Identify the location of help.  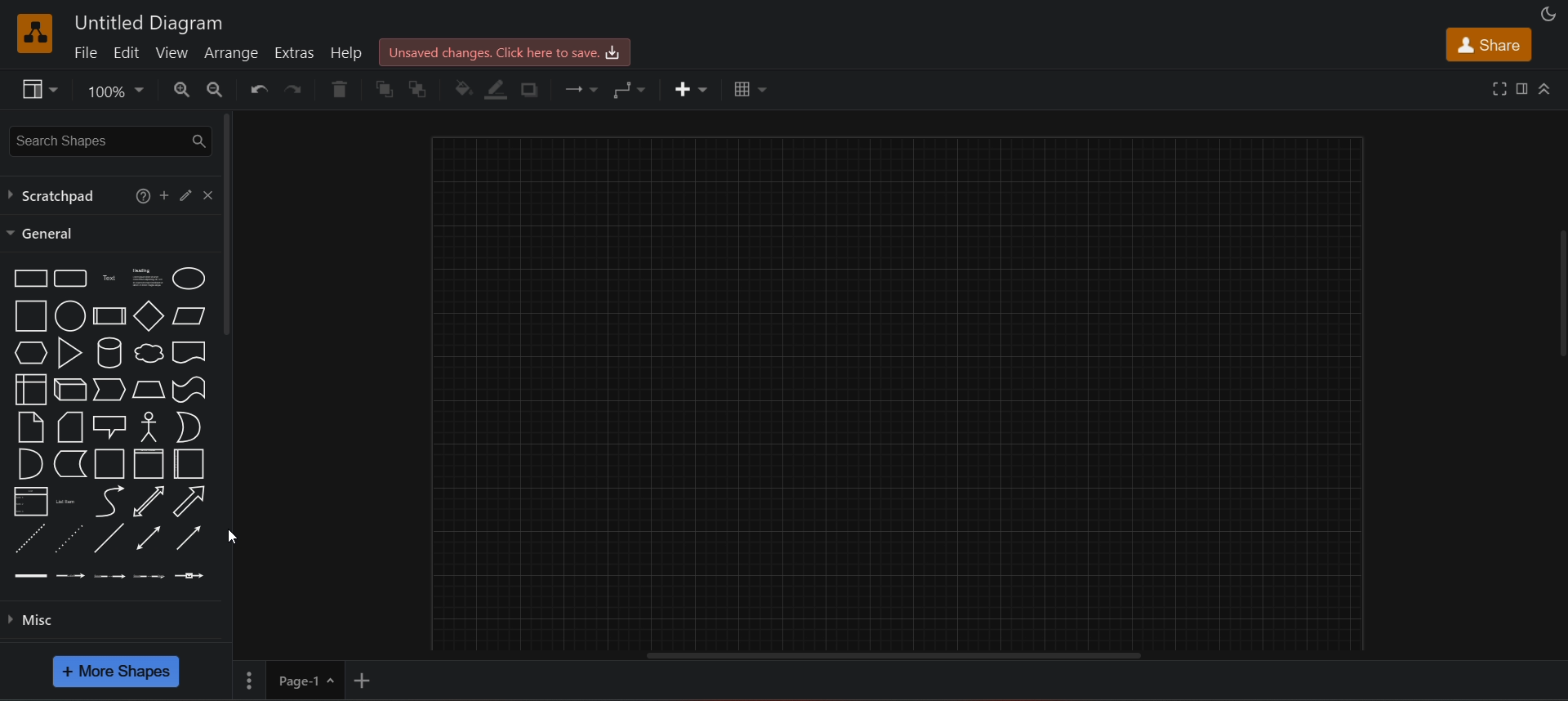
(140, 194).